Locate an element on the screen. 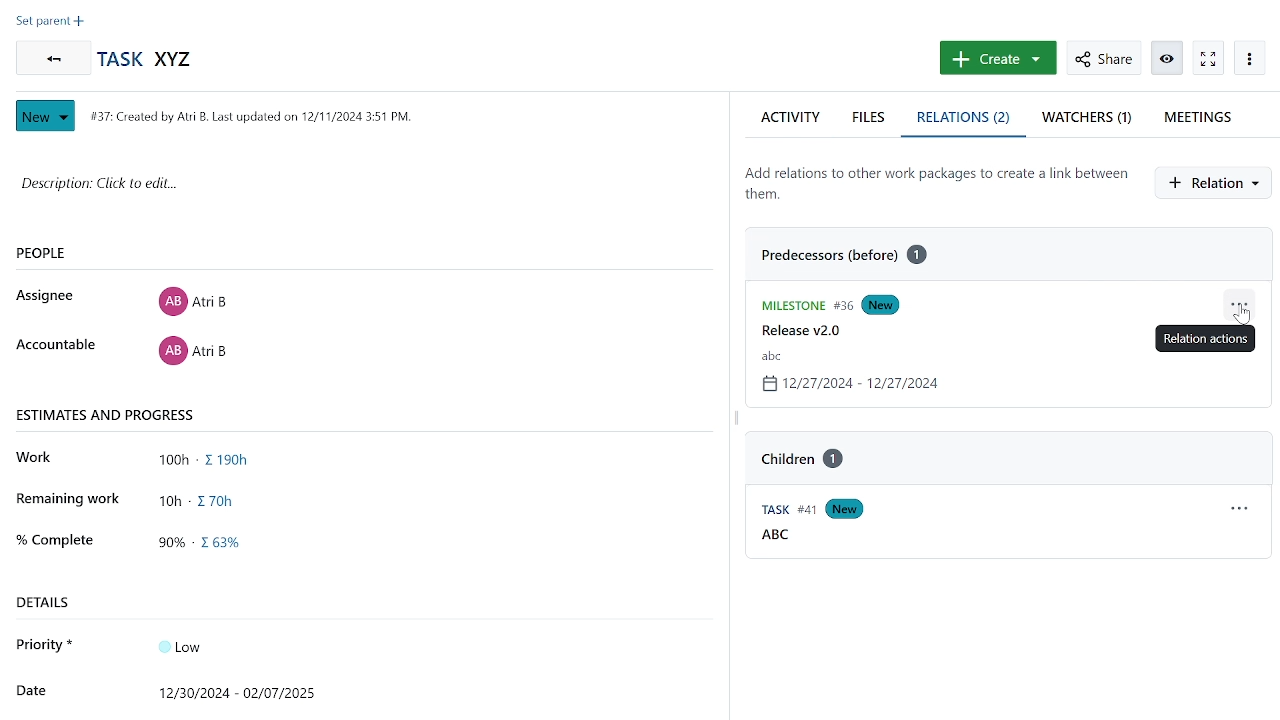  activity is located at coordinates (790, 117).